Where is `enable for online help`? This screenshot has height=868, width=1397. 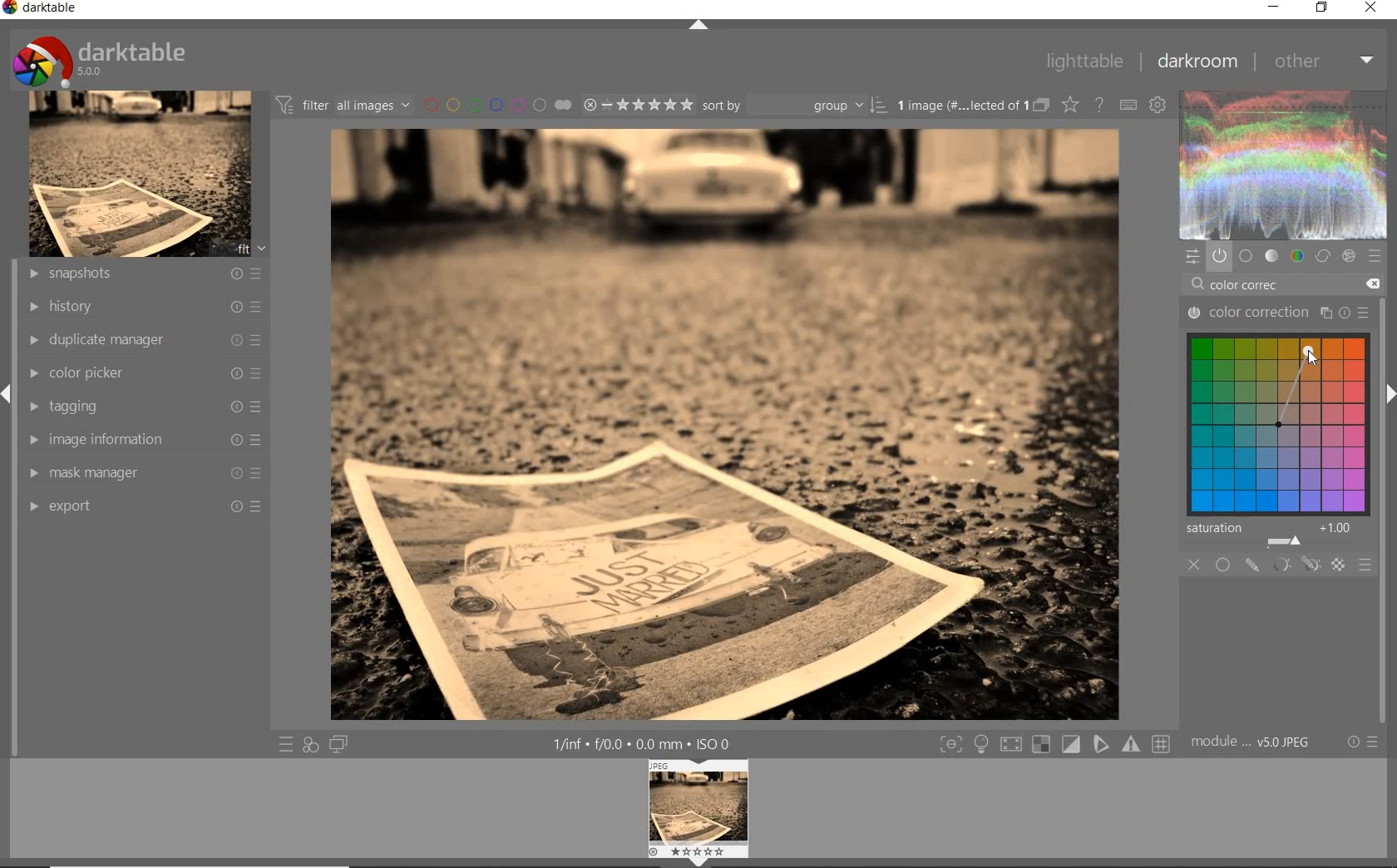
enable for online help is located at coordinates (1100, 104).